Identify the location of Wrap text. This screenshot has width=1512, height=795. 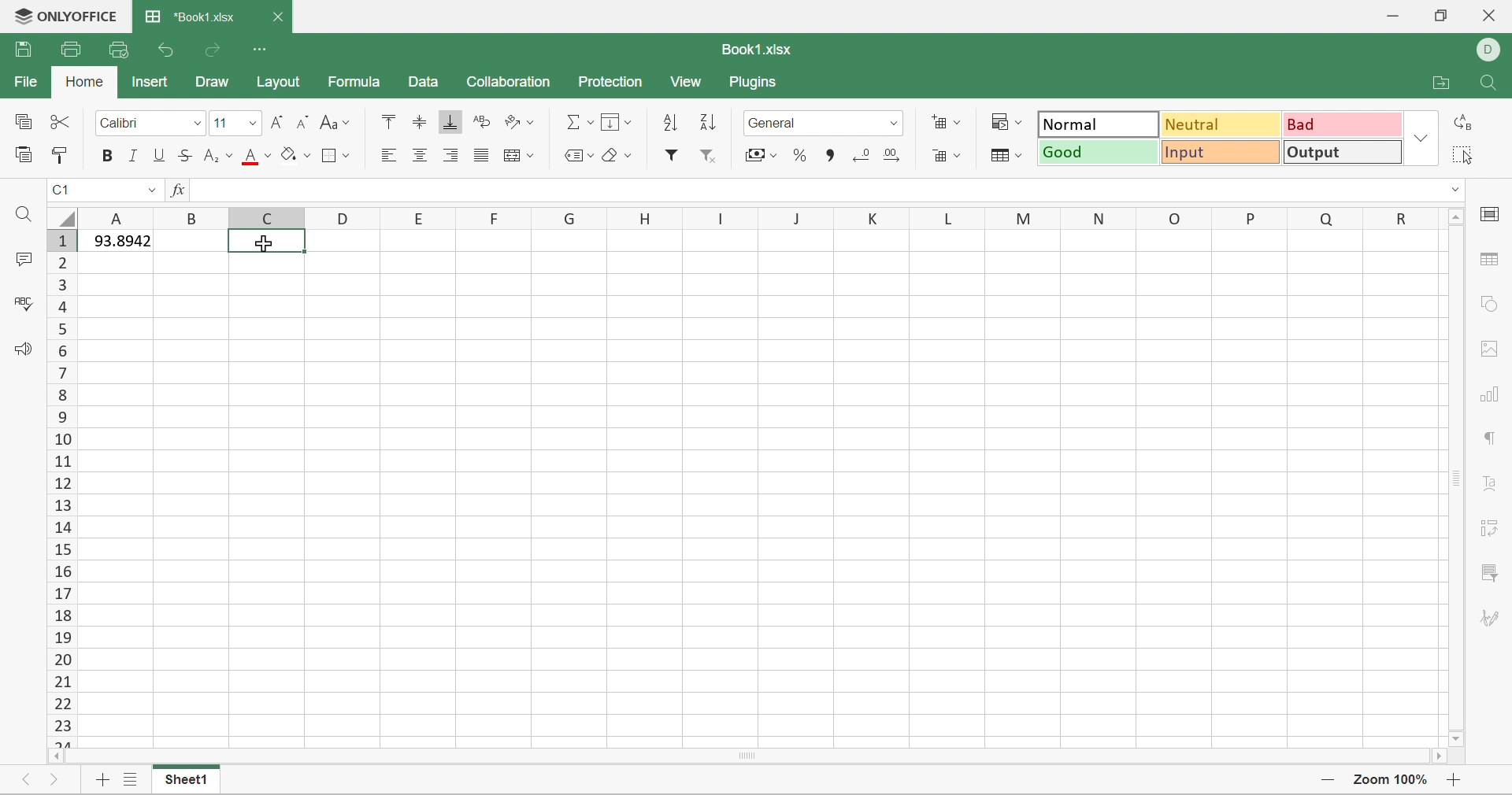
(480, 124).